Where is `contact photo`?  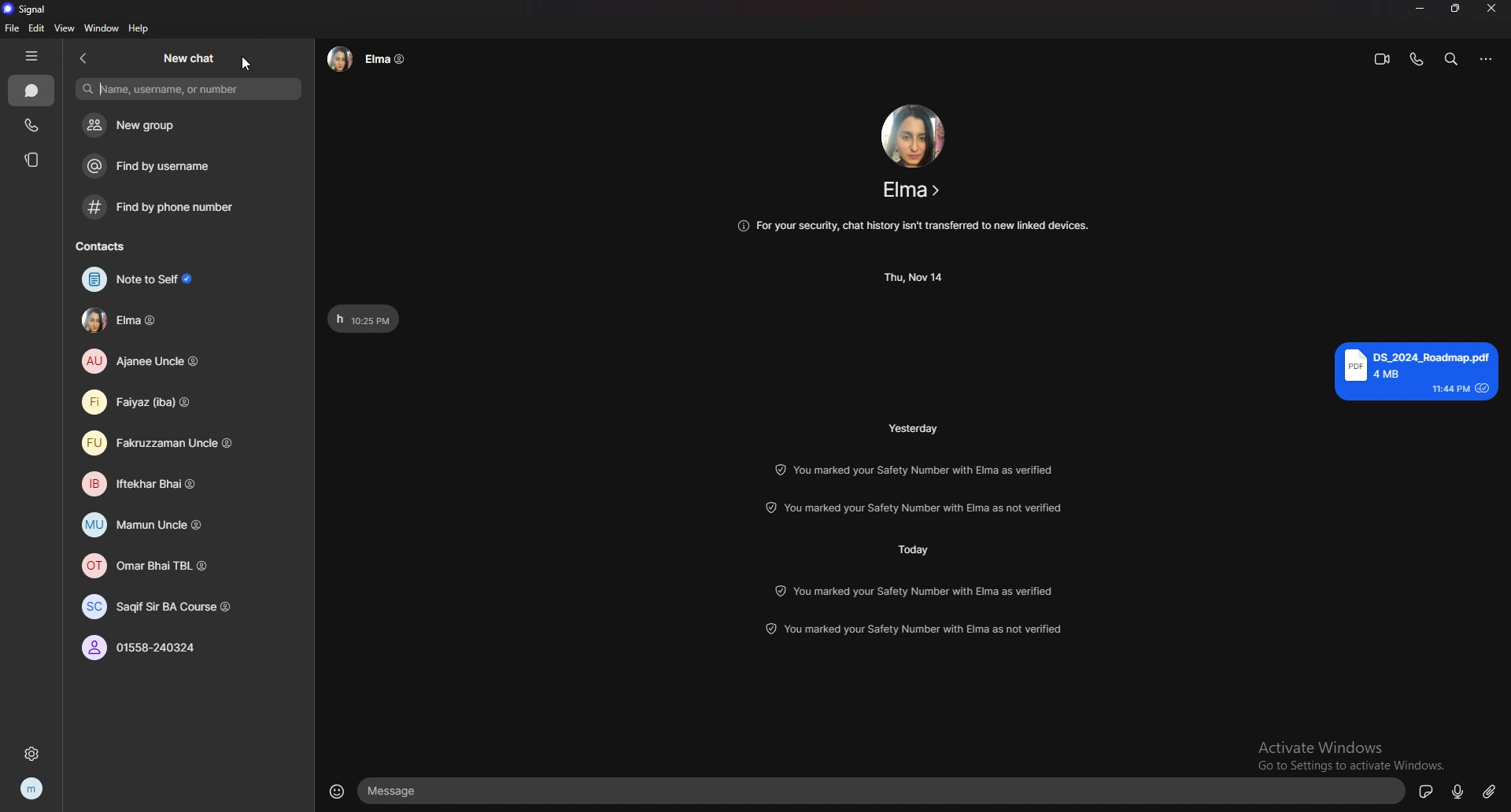
contact photo is located at coordinates (914, 135).